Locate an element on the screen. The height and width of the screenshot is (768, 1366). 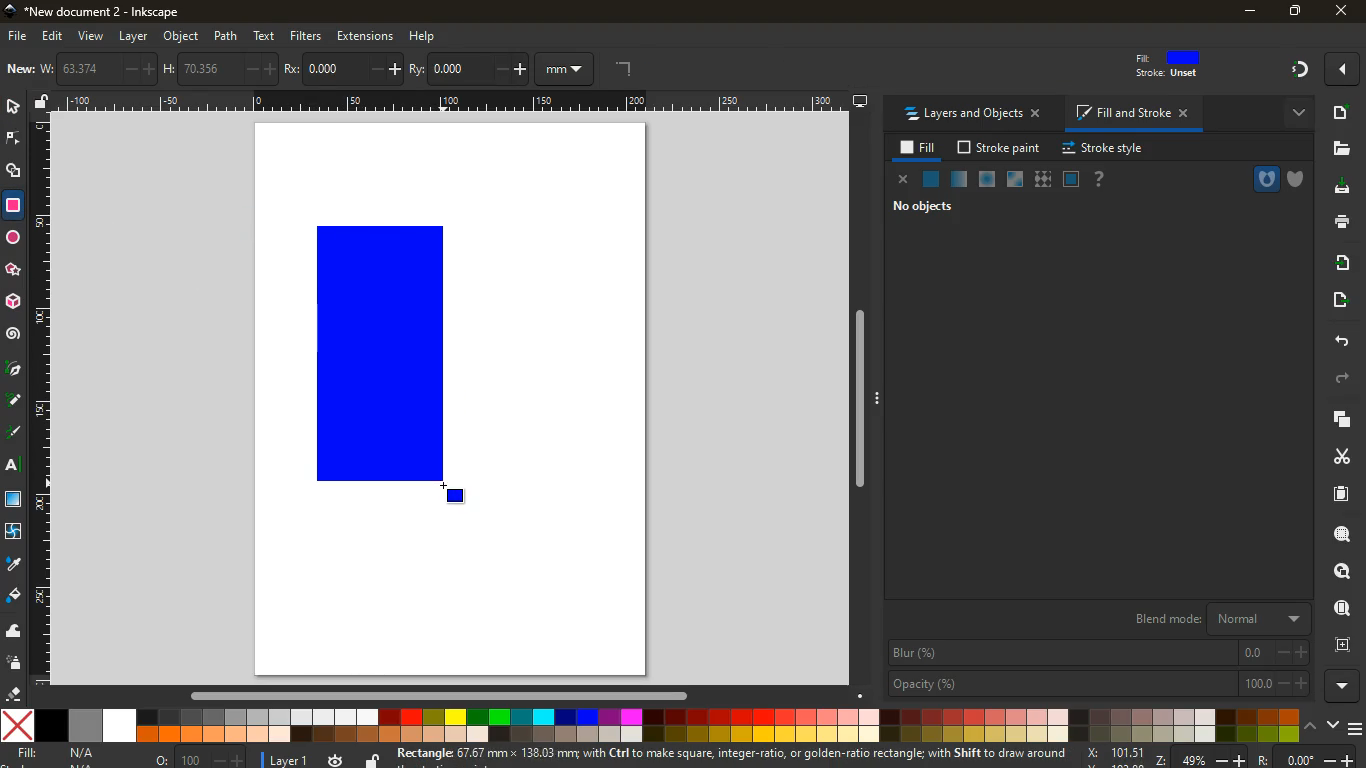
close is located at coordinates (905, 181).